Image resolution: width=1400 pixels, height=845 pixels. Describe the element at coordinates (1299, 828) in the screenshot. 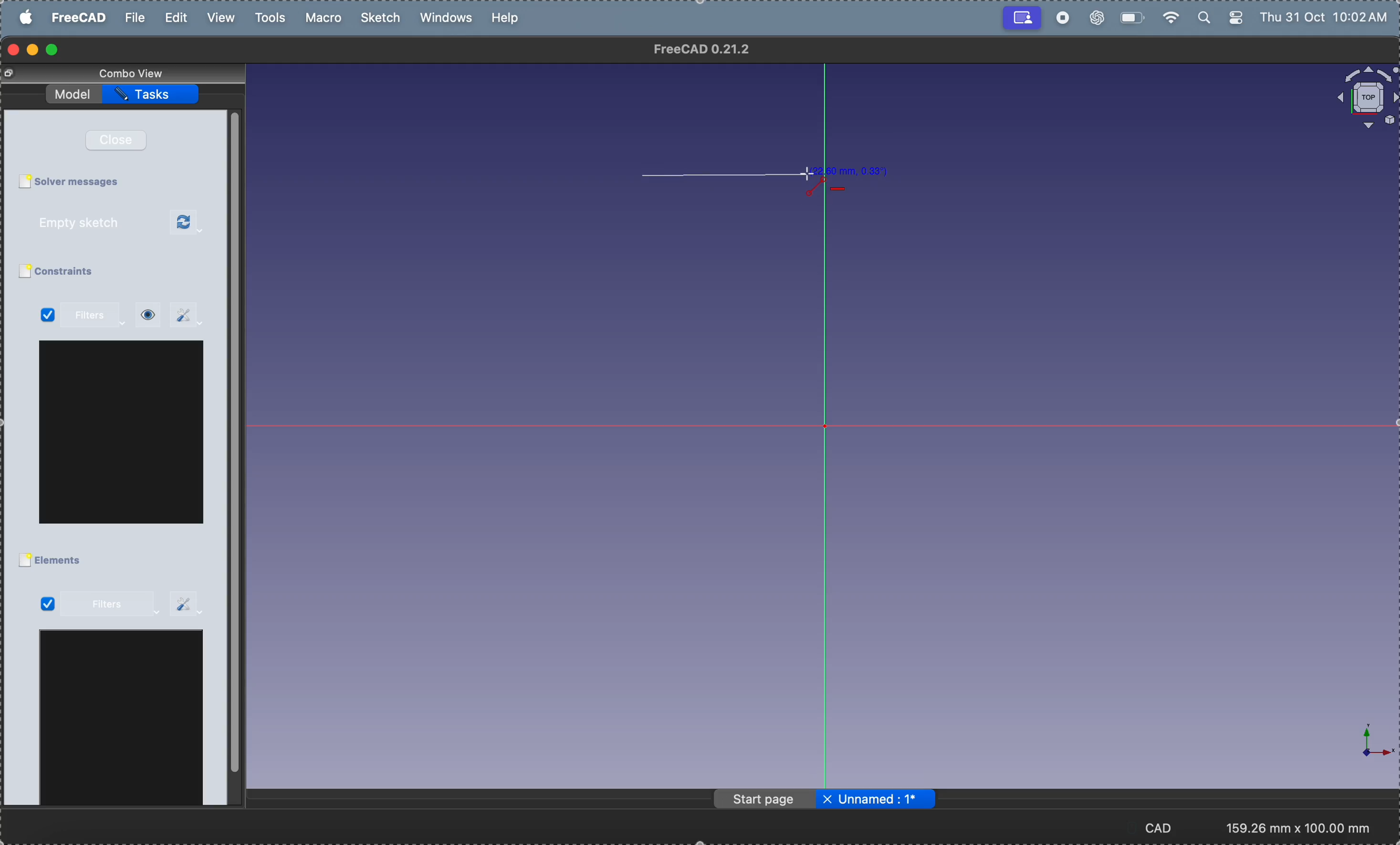

I see `193.17 mm x 100.00 mm` at that location.